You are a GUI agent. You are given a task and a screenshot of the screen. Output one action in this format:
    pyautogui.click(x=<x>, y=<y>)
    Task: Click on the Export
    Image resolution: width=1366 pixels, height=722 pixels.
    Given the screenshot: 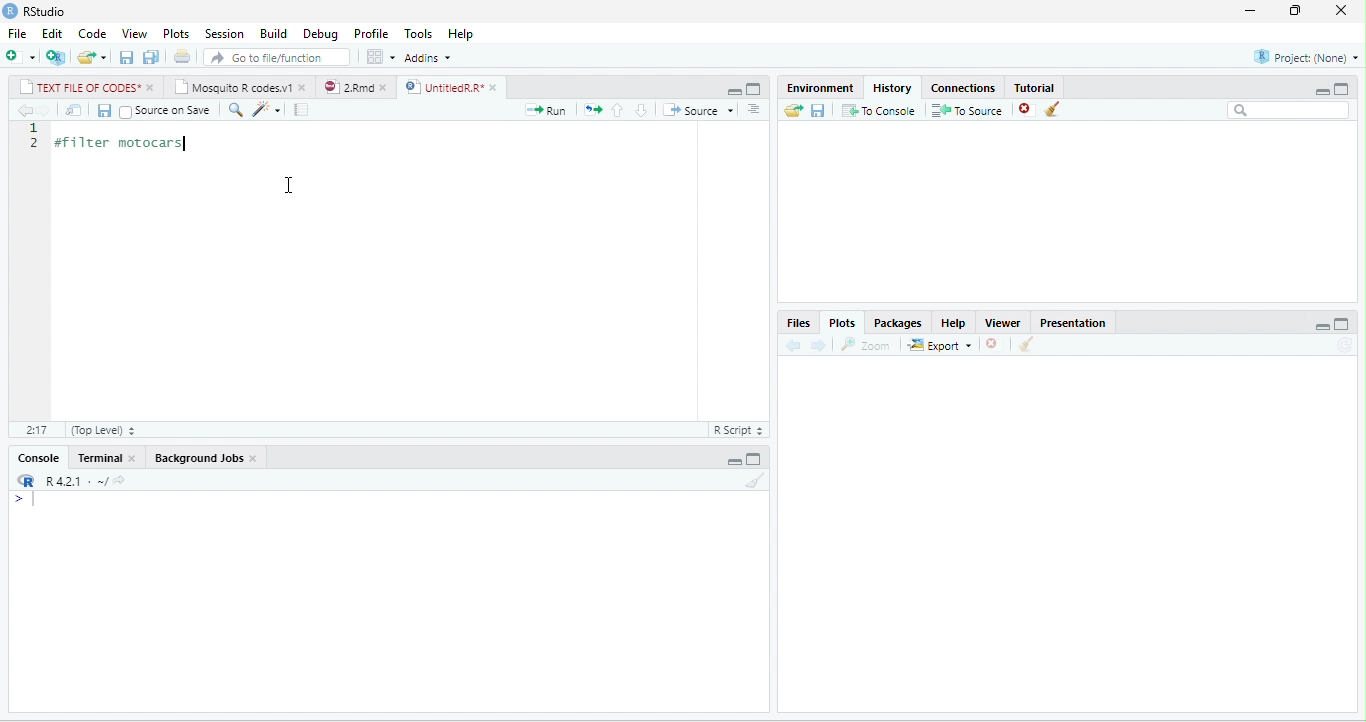 What is the action you would take?
    pyautogui.click(x=939, y=345)
    